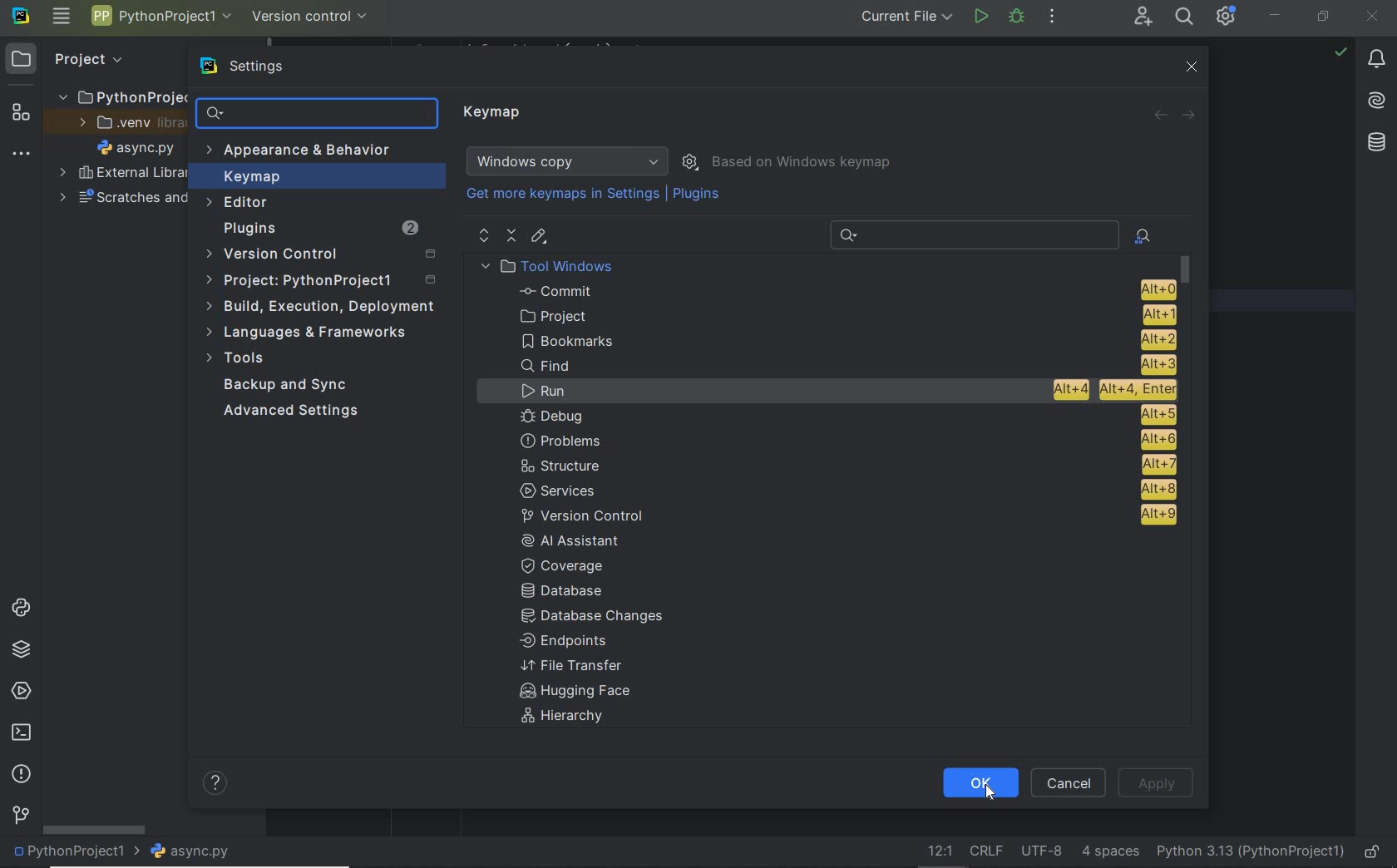  What do you see at coordinates (1191, 382) in the screenshot?
I see `scrollbar` at bounding box center [1191, 382].